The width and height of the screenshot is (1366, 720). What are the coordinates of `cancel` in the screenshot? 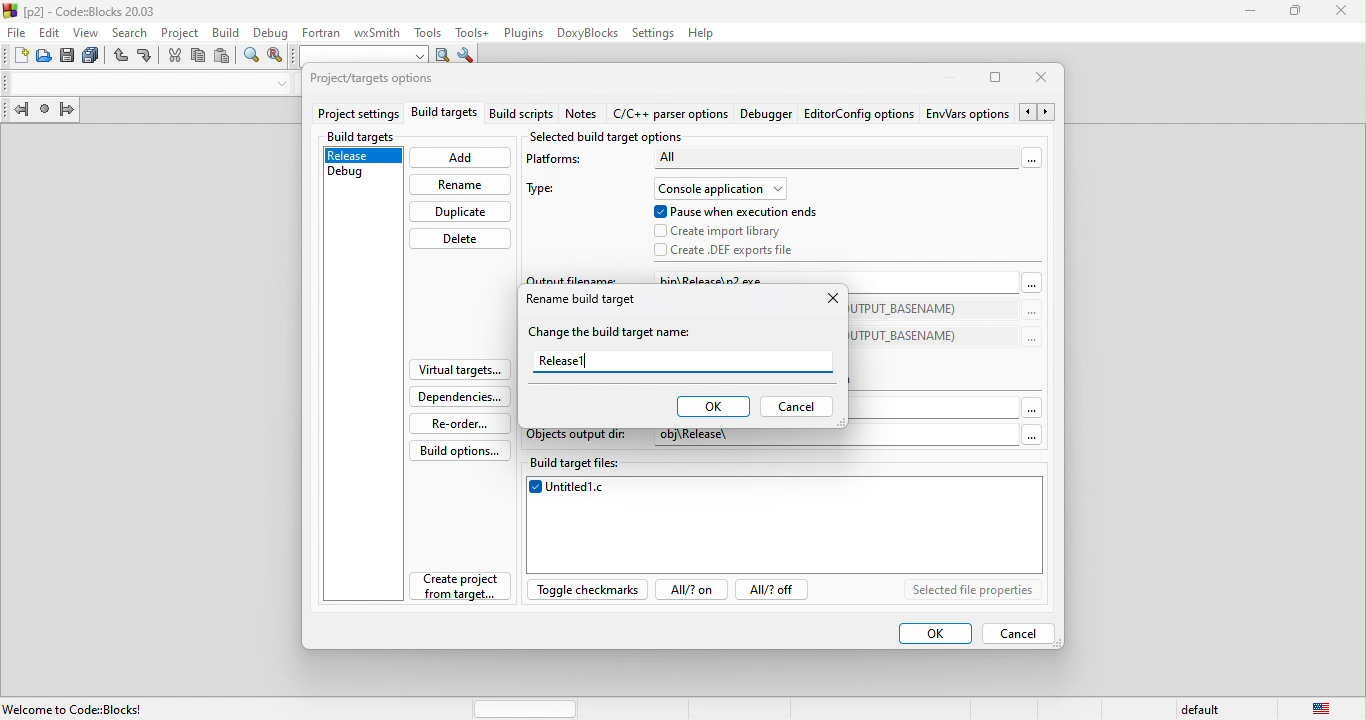 It's located at (1026, 632).